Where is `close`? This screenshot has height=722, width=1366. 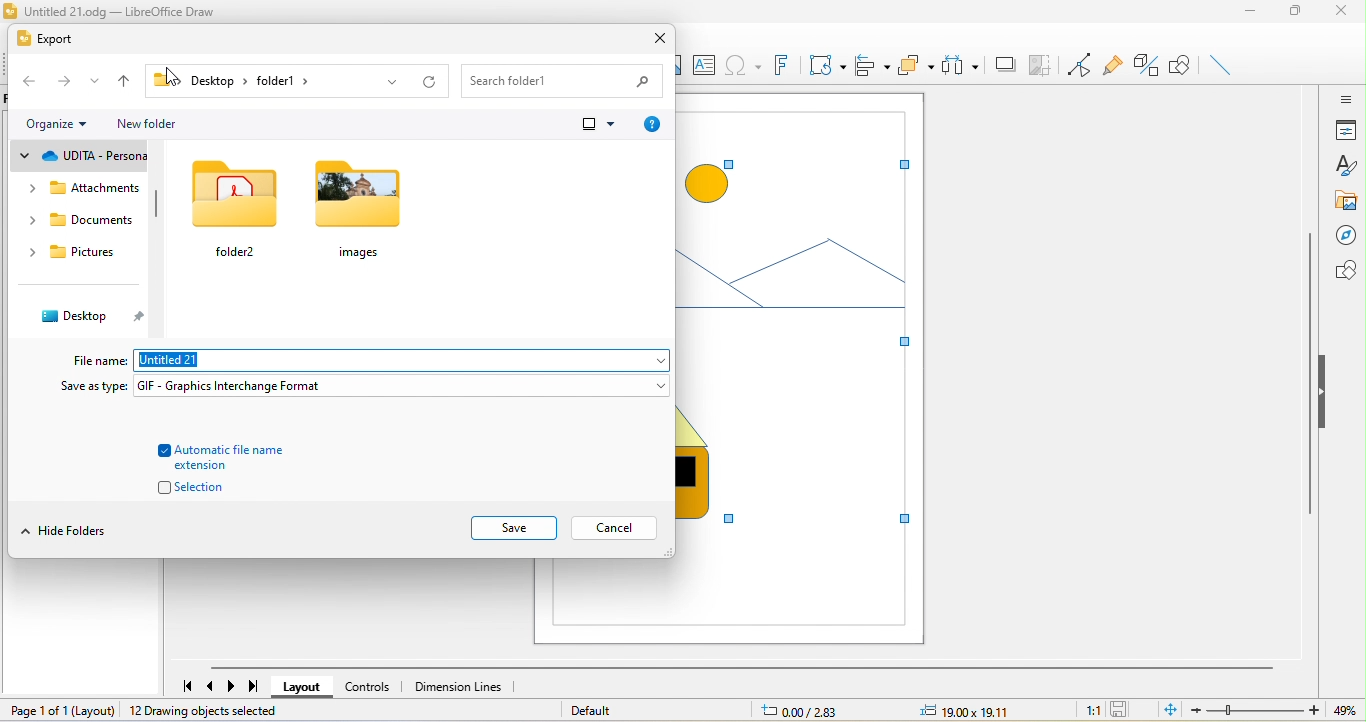 close is located at coordinates (659, 36).